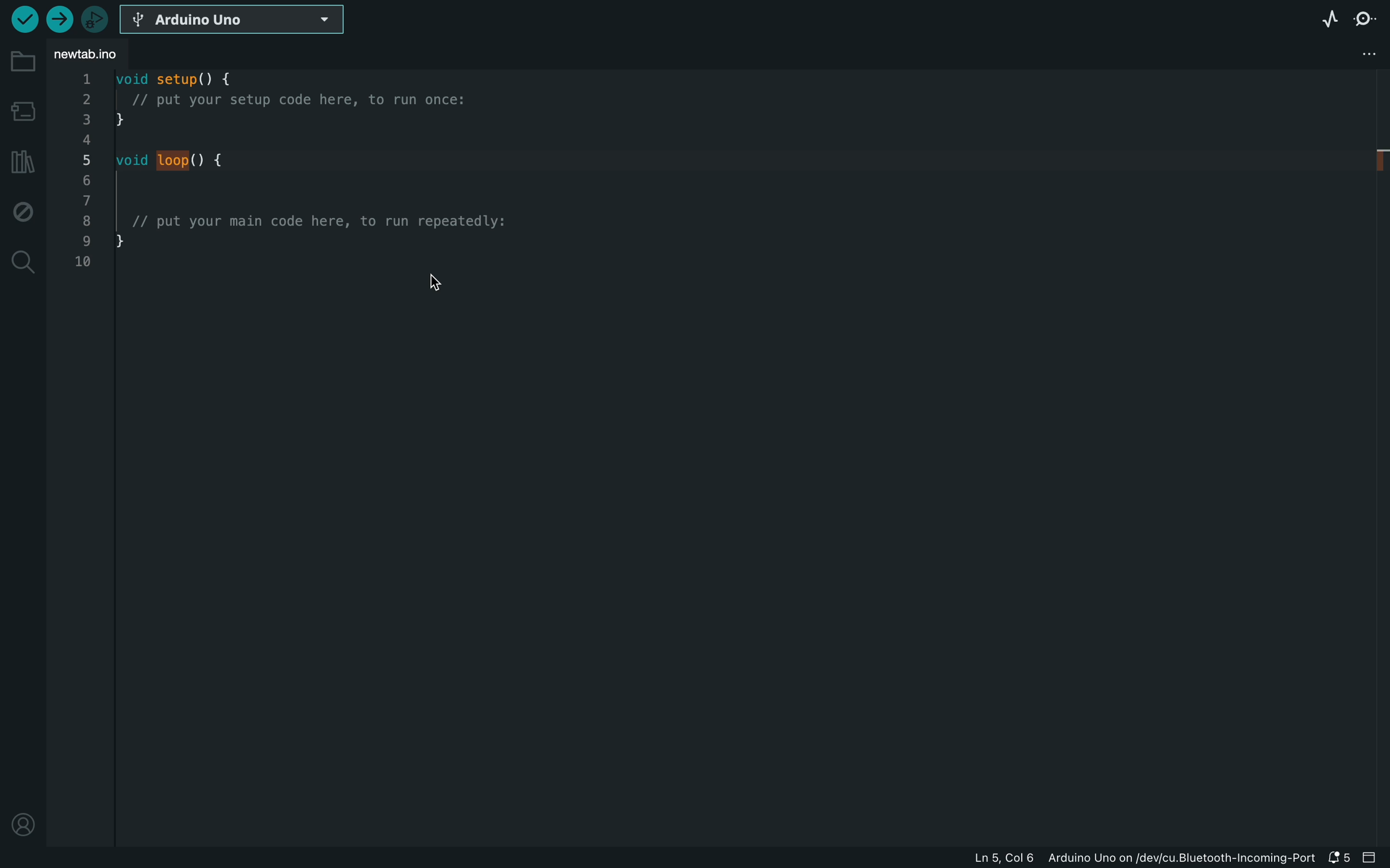 This screenshot has height=868, width=1390. What do you see at coordinates (23, 262) in the screenshot?
I see `search` at bounding box center [23, 262].